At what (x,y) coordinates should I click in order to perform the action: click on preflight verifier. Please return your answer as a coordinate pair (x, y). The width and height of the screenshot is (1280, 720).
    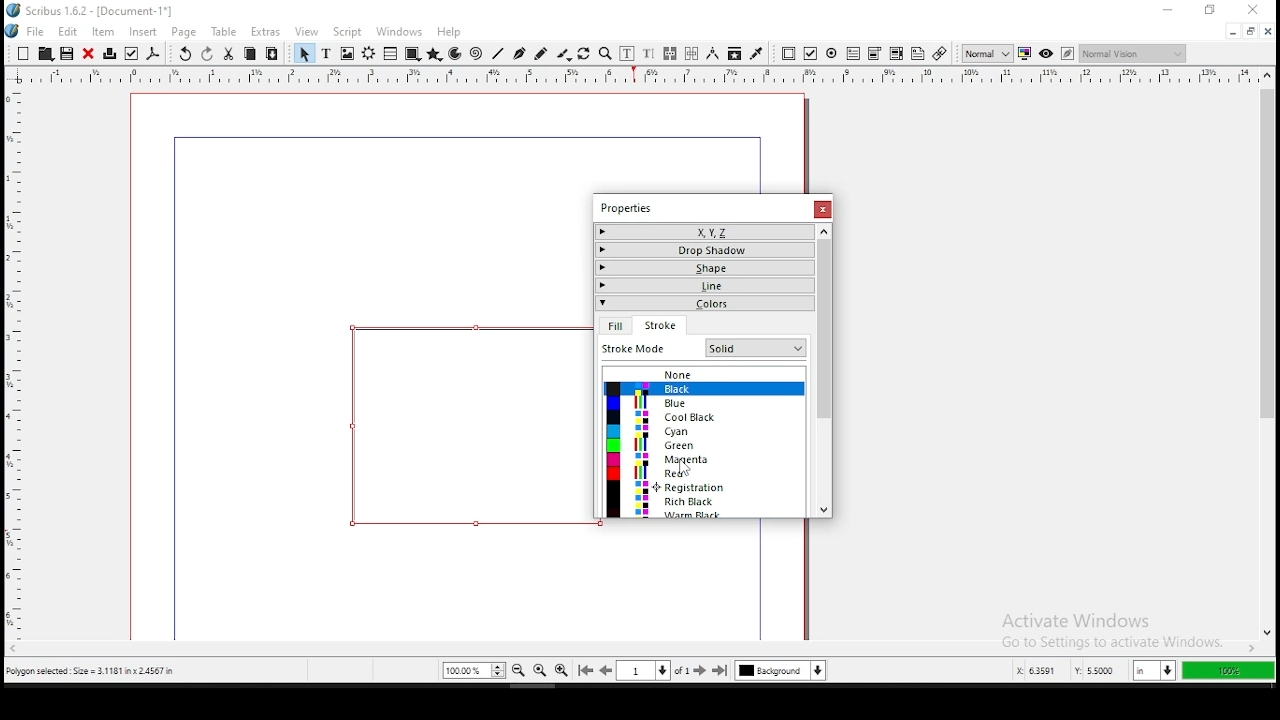
    Looking at the image, I should click on (130, 54).